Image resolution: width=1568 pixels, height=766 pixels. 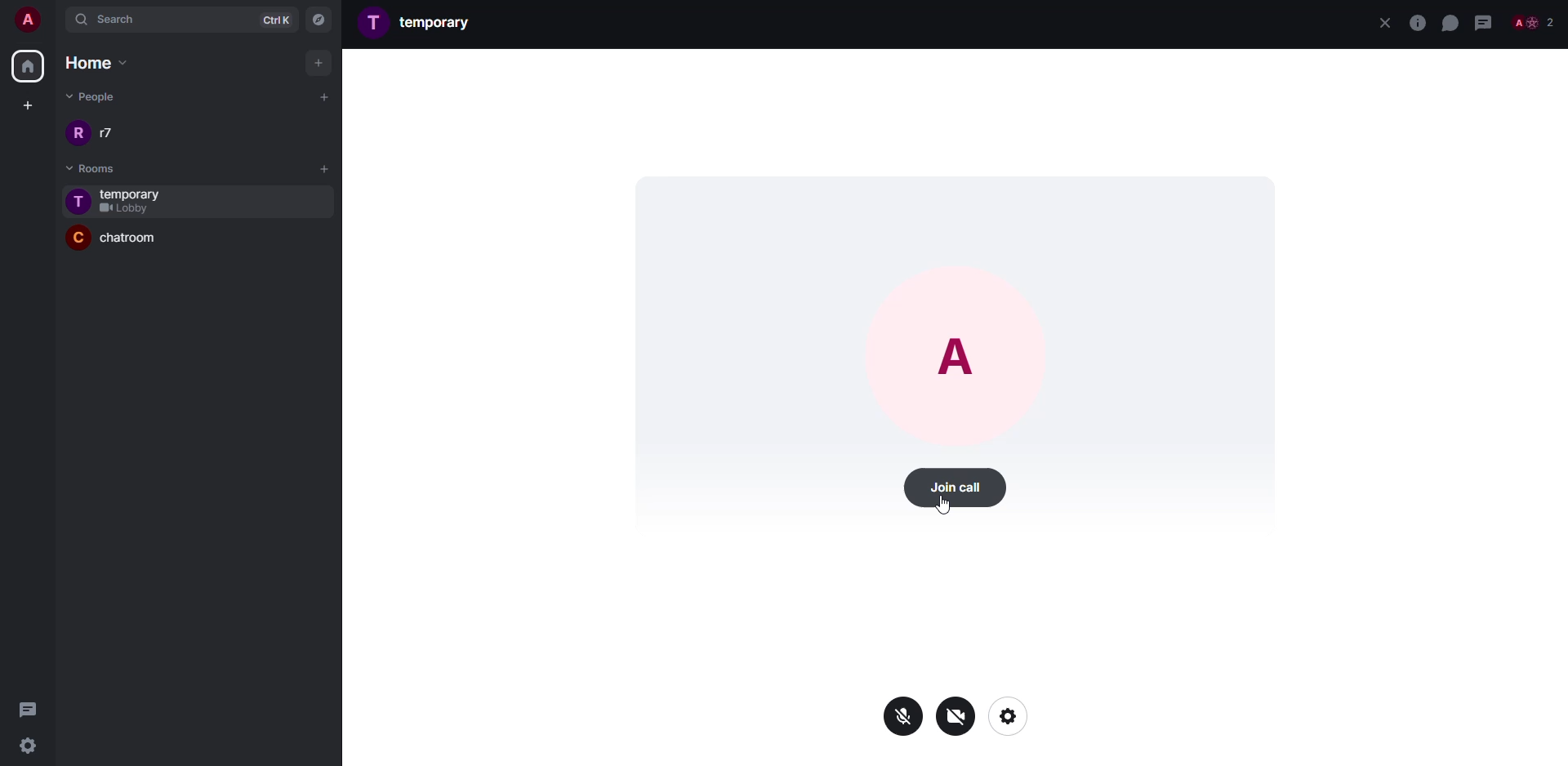 I want to click on room, so click(x=140, y=242).